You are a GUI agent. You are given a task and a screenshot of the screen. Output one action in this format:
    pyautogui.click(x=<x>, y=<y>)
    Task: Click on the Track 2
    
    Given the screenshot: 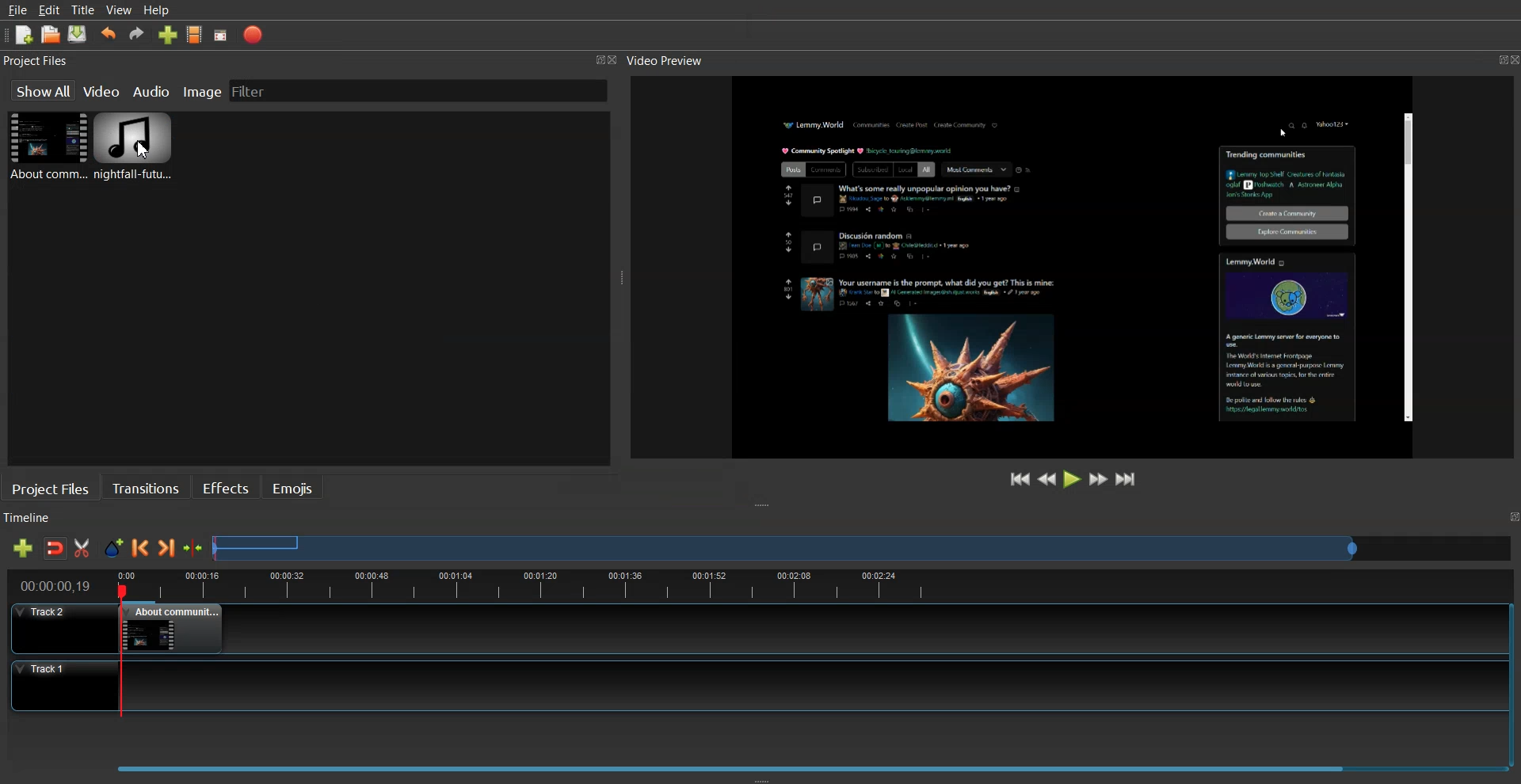 What is the action you would take?
    pyautogui.click(x=747, y=629)
    